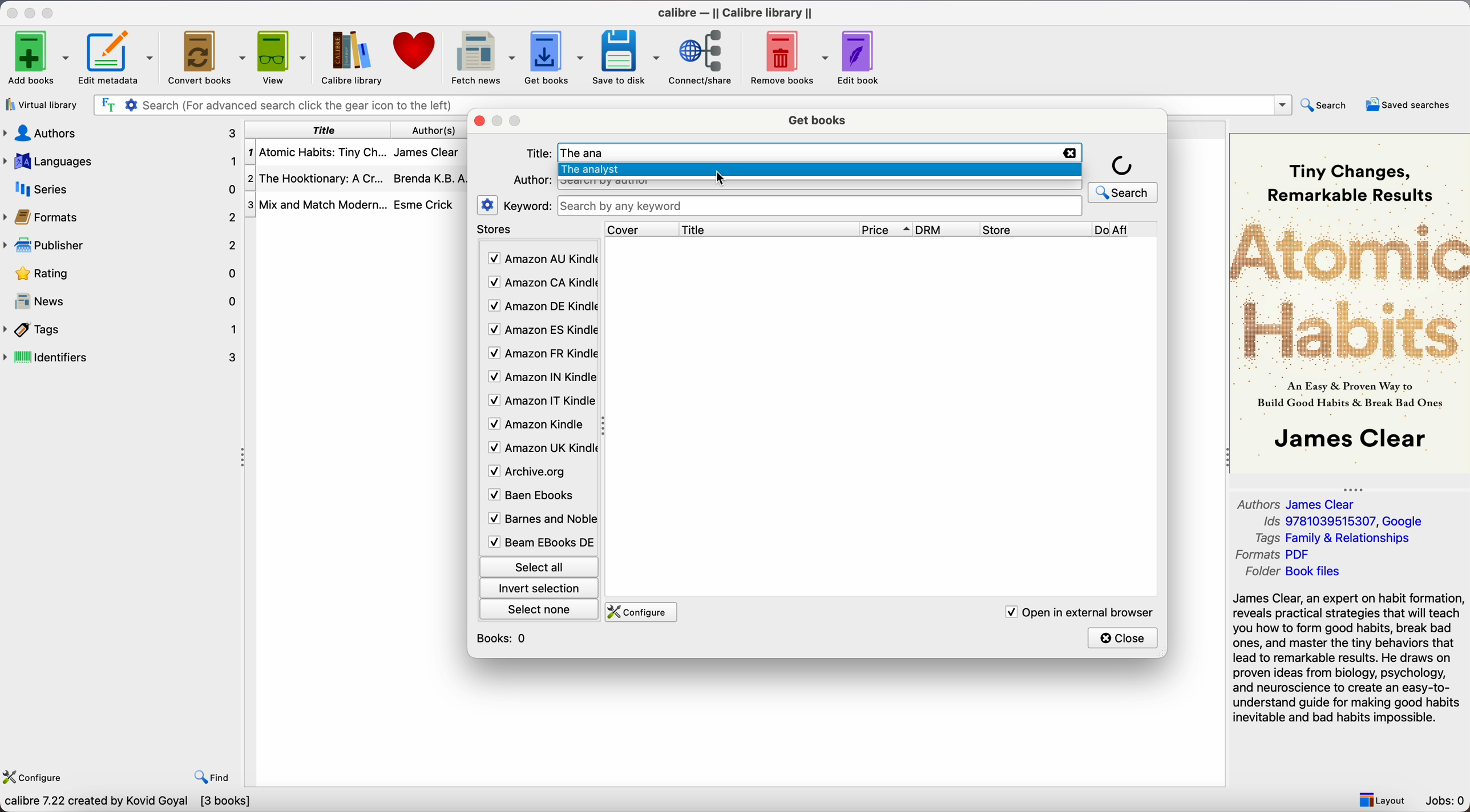  Describe the element at coordinates (123, 217) in the screenshot. I see `formats` at that location.